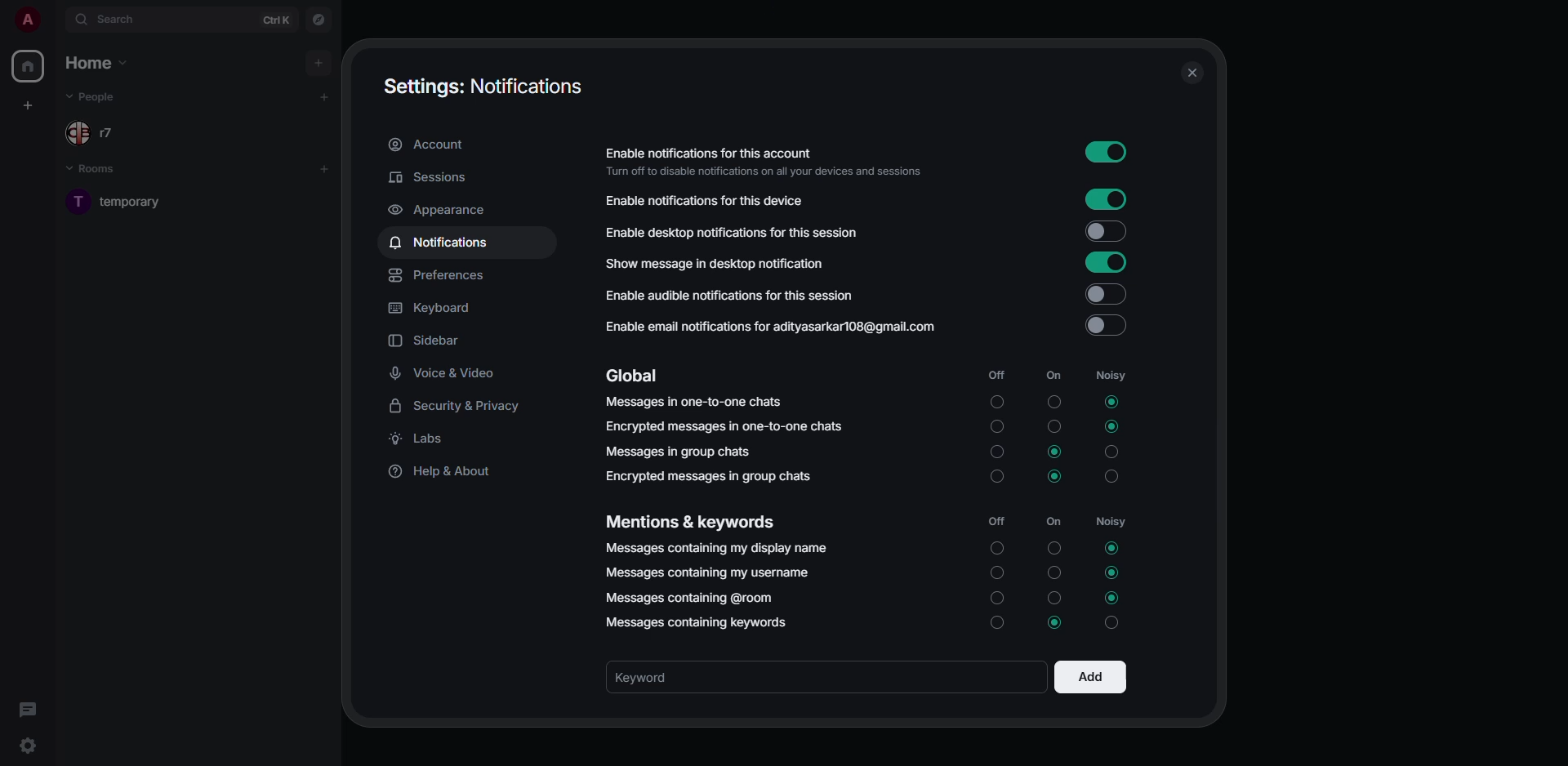  What do you see at coordinates (1116, 622) in the screenshot?
I see `noisy` at bounding box center [1116, 622].